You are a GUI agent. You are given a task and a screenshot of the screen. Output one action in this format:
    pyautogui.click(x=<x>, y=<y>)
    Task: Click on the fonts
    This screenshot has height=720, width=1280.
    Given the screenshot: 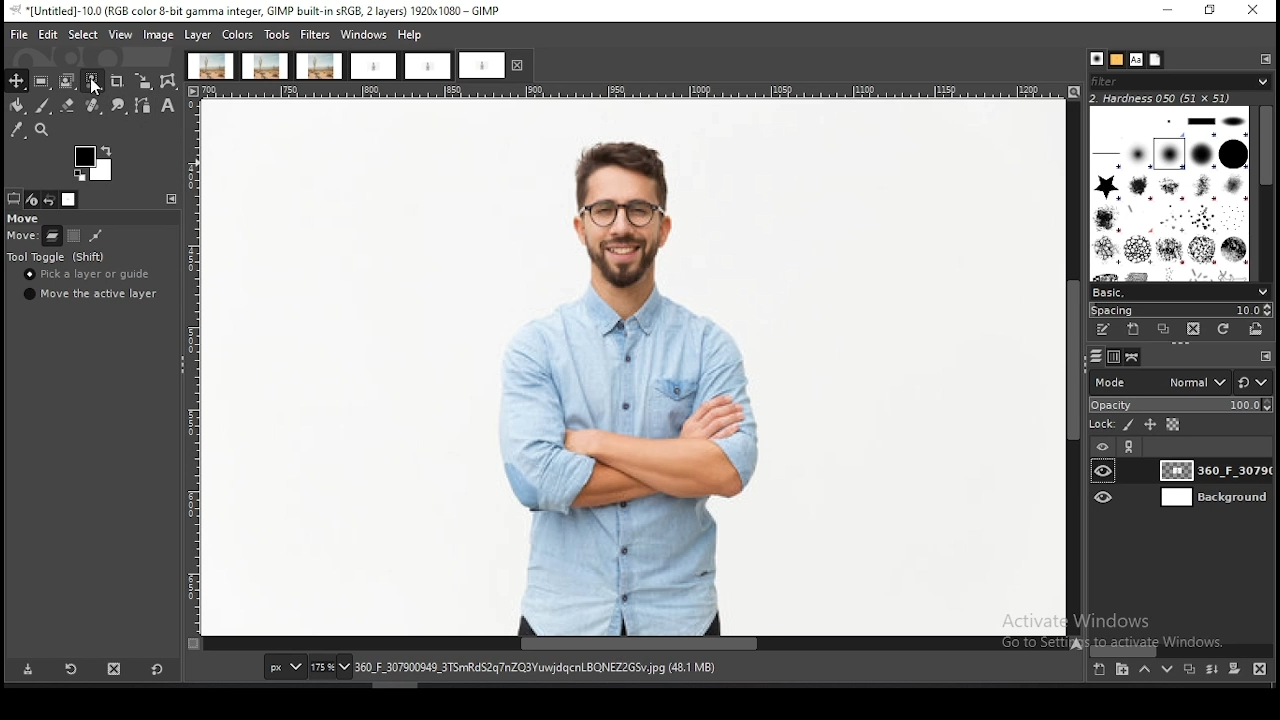 What is the action you would take?
    pyautogui.click(x=1136, y=60)
    